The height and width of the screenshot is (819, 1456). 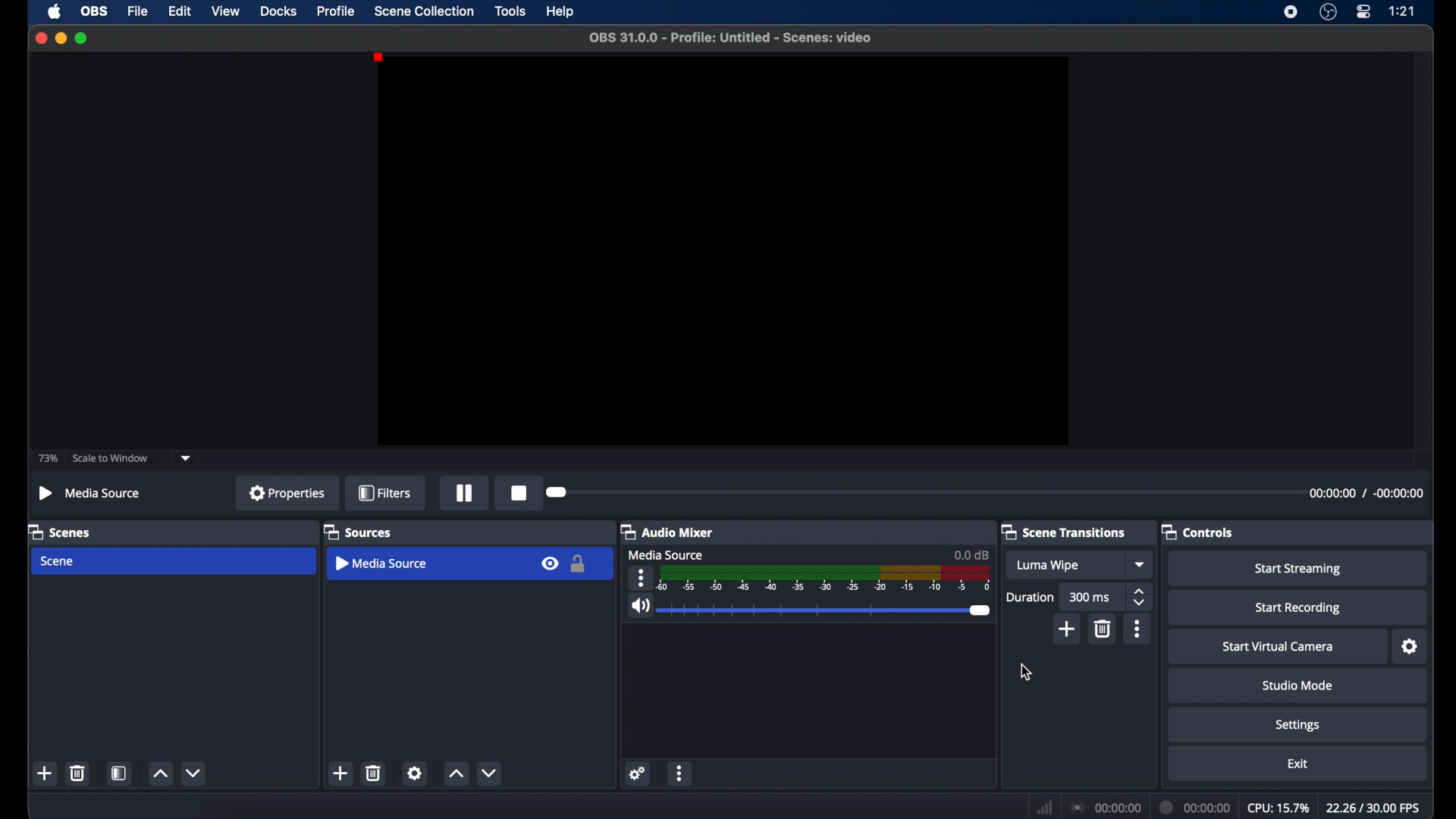 I want to click on sources, so click(x=358, y=532).